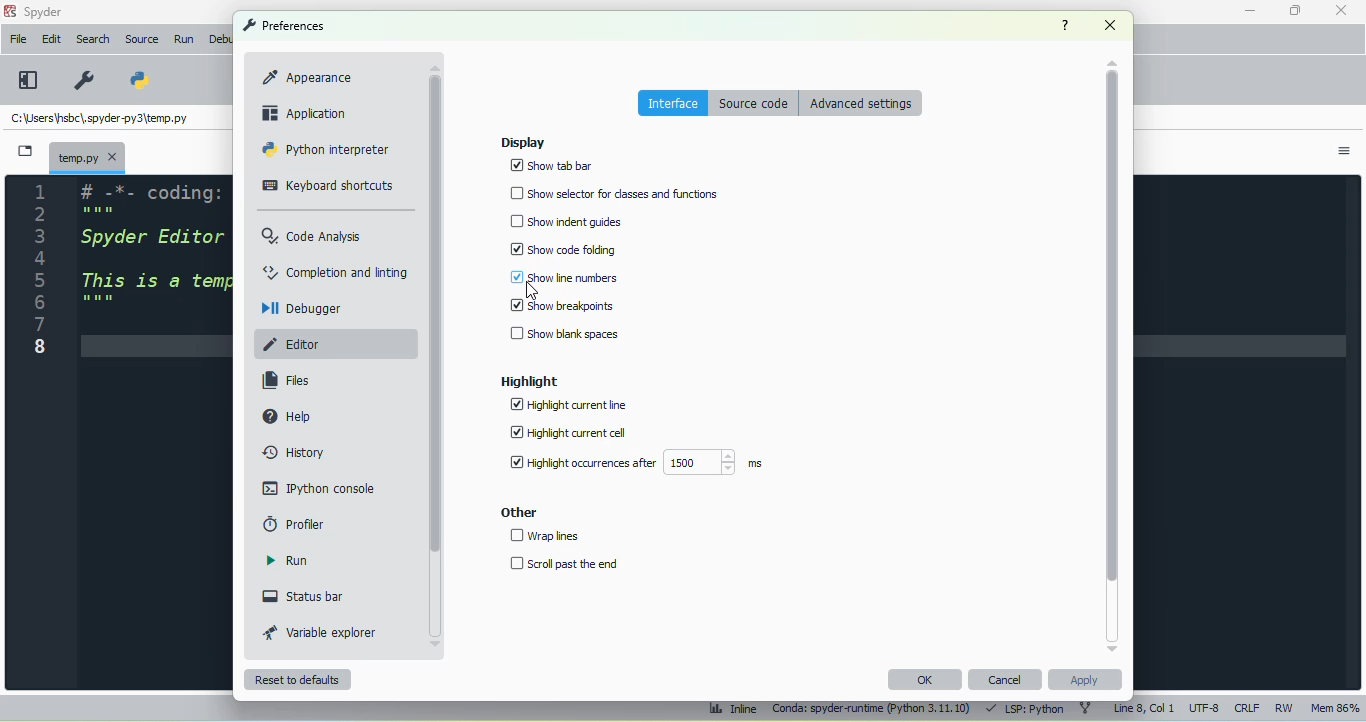 This screenshot has height=722, width=1366. Describe the element at coordinates (52, 39) in the screenshot. I see `edit` at that location.